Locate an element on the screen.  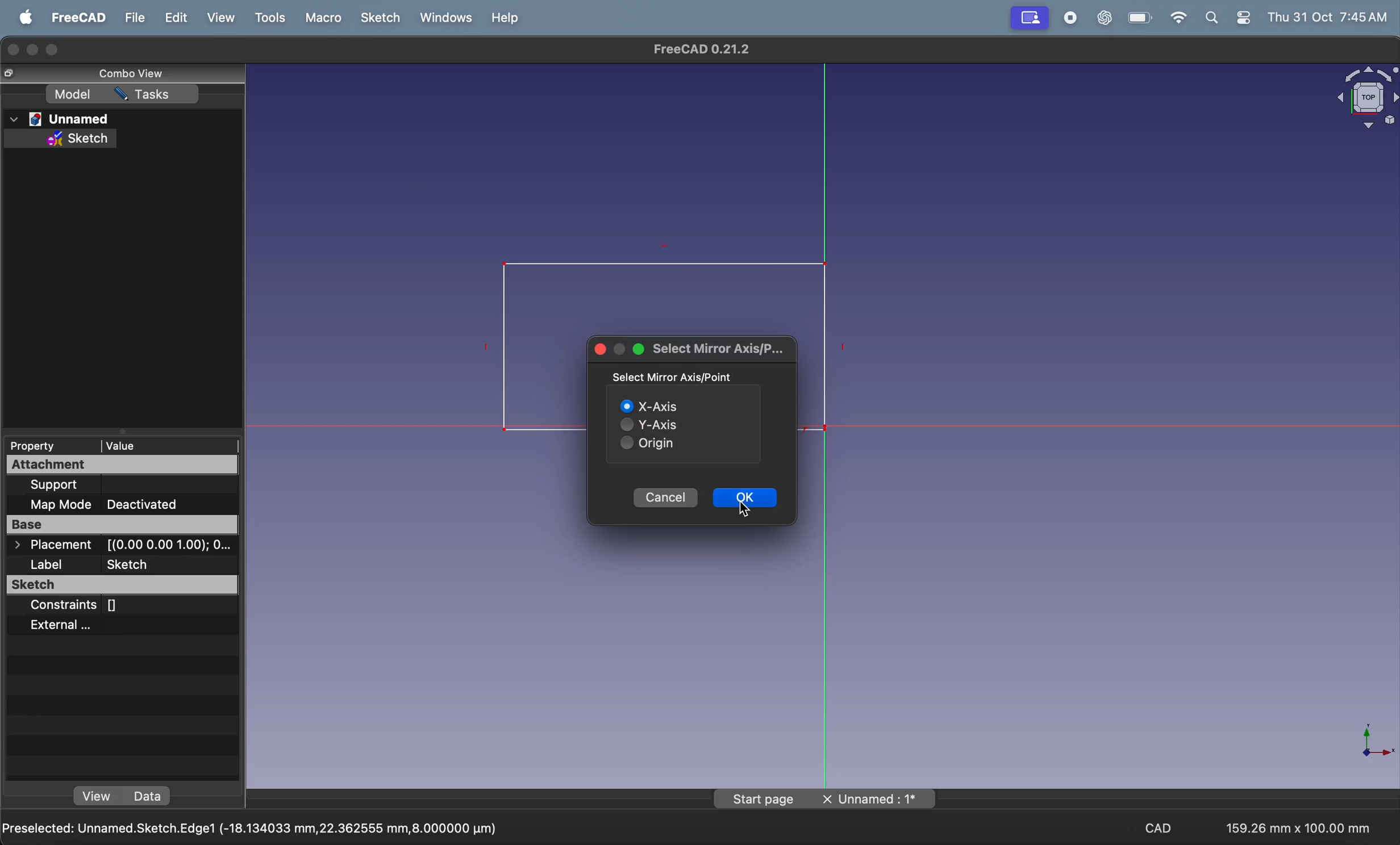
closing window is located at coordinates (602, 349).